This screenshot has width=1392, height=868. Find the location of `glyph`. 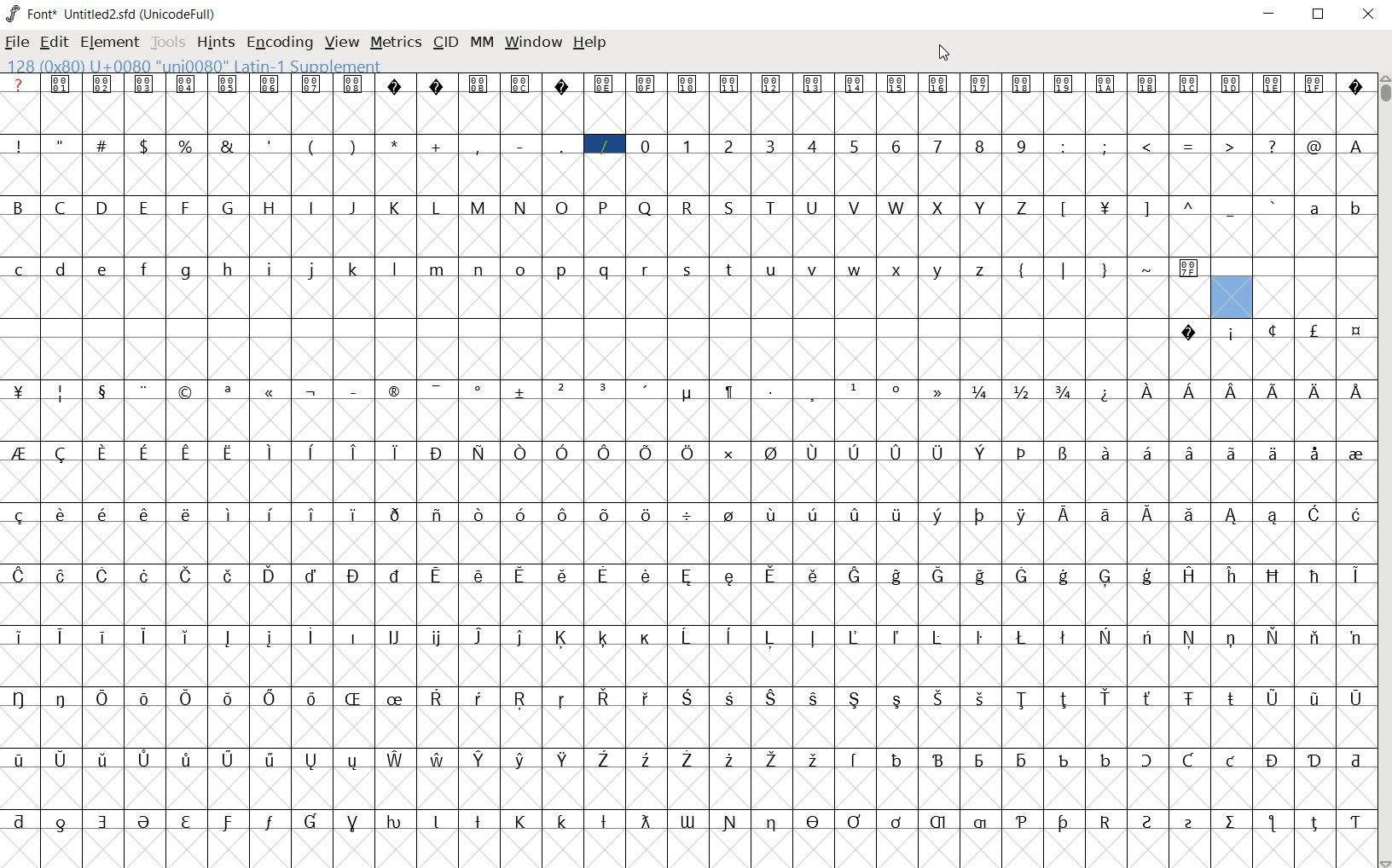

glyph is located at coordinates (1189, 824).